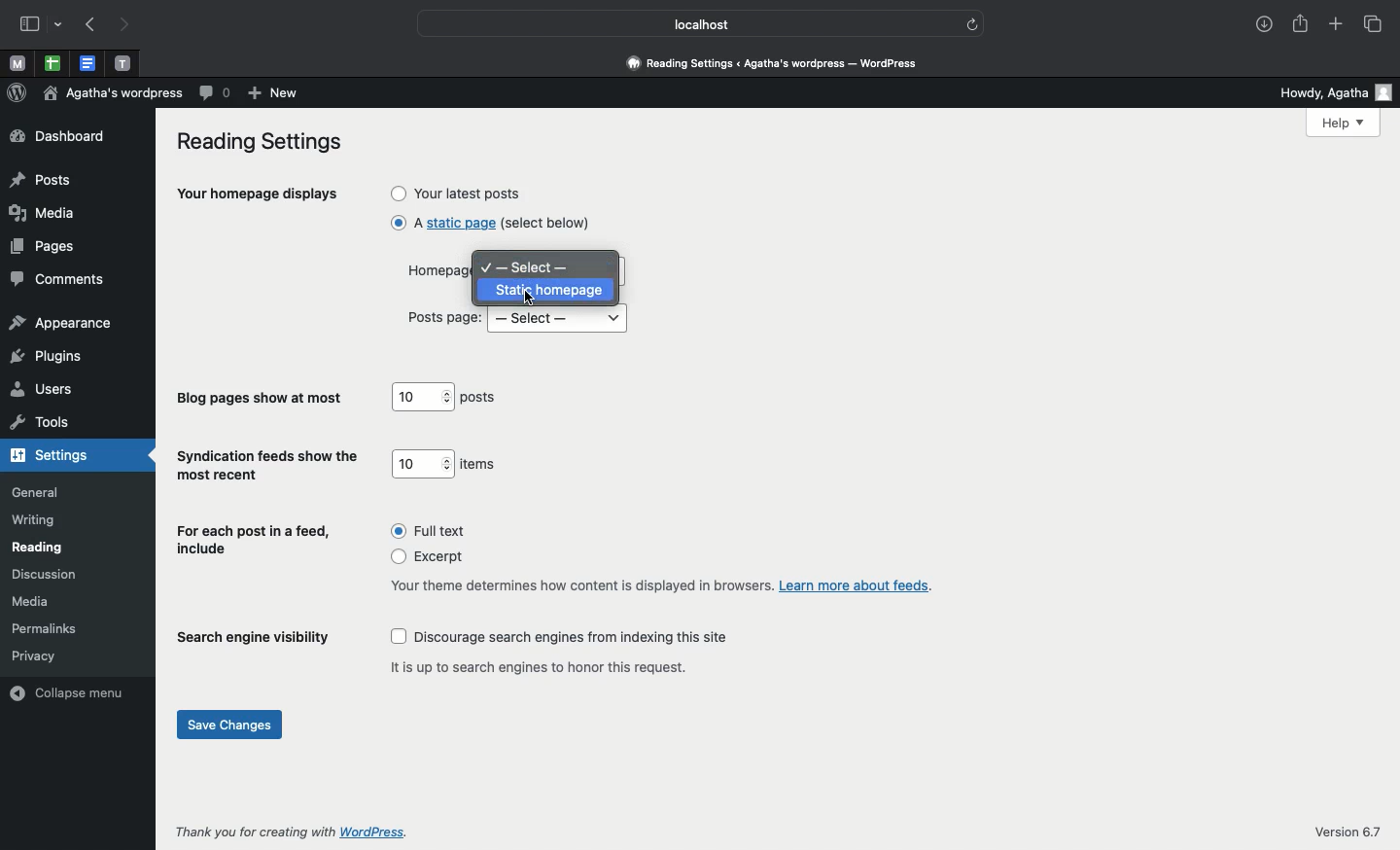 This screenshot has width=1400, height=850. I want to click on Static homepage, so click(550, 290).